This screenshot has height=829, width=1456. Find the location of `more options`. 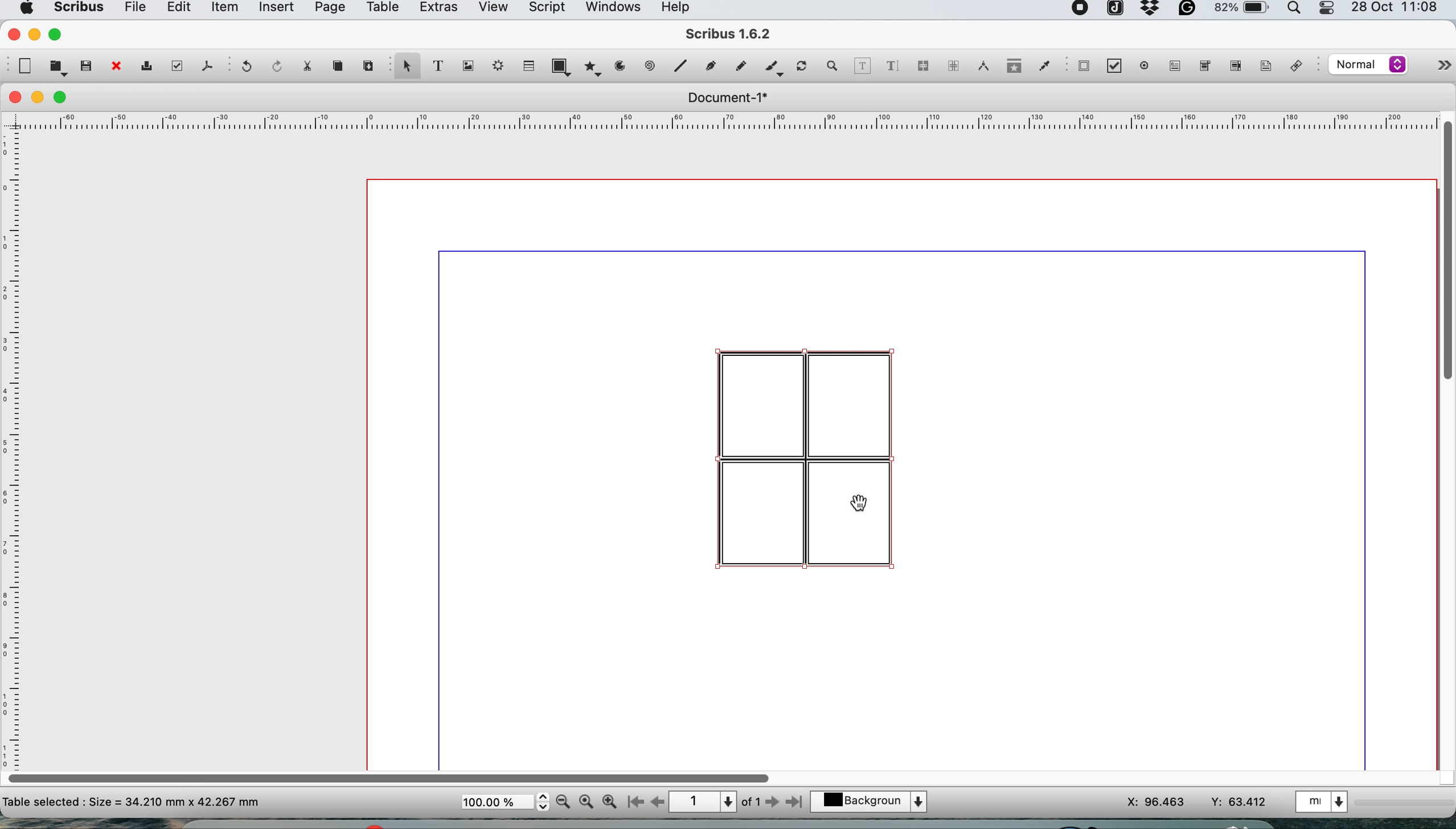

more options is located at coordinates (1432, 68).